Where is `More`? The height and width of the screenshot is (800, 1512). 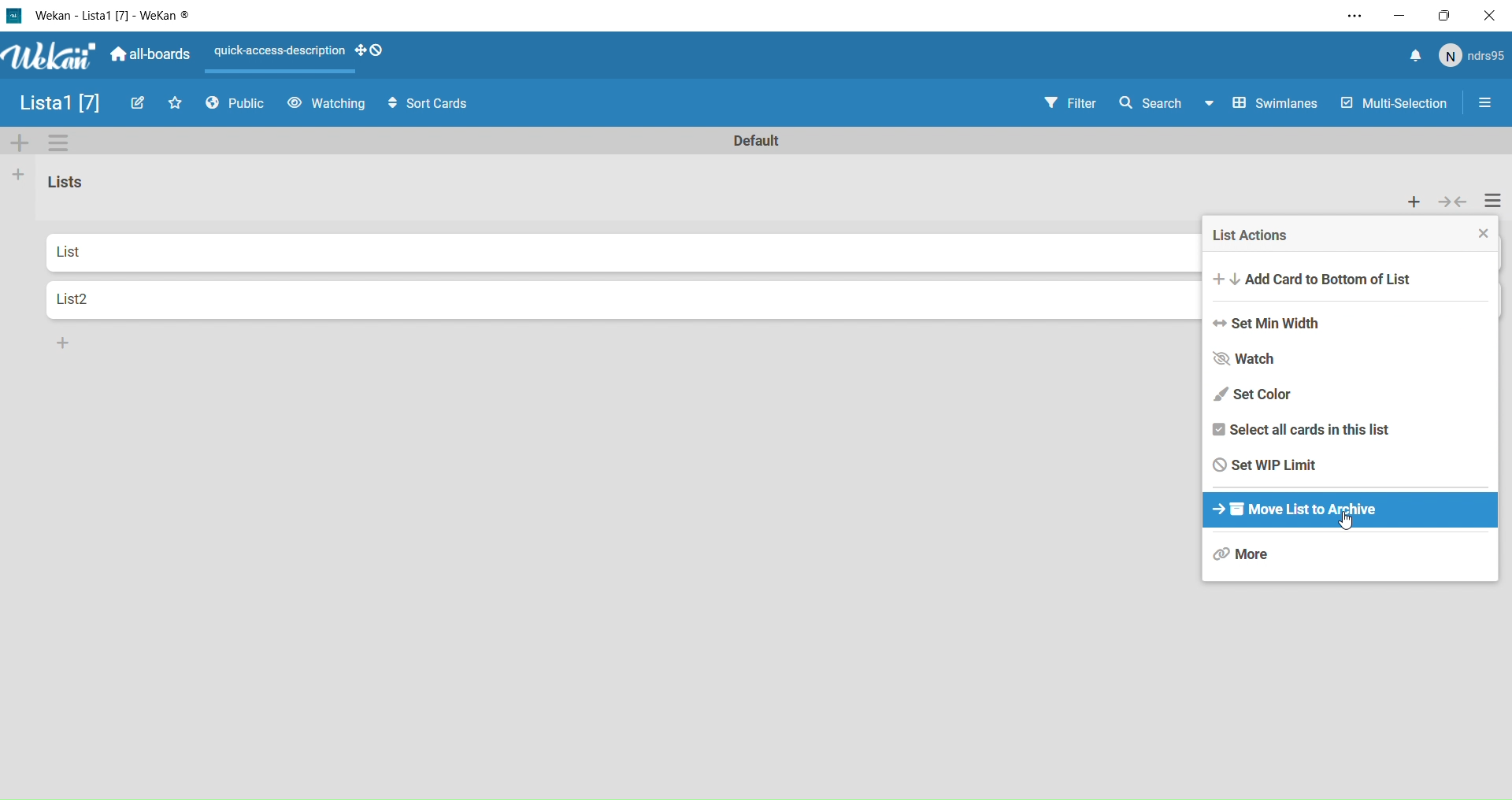
More is located at coordinates (1240, 555).